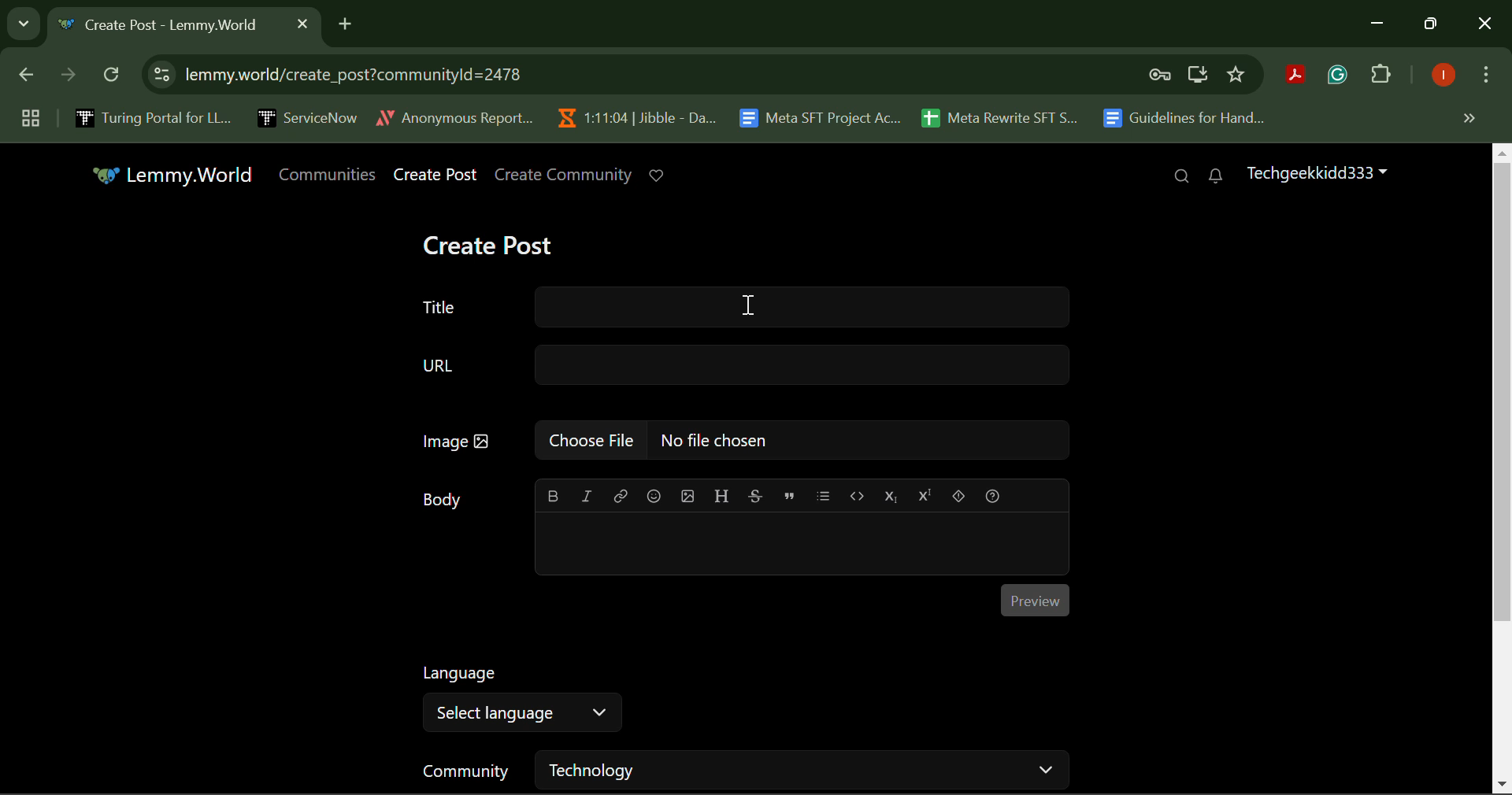  What do you see at coordinates (741, 439) in the screenshot?
I see `Image Upload Box` at bounding box center [741, 439].